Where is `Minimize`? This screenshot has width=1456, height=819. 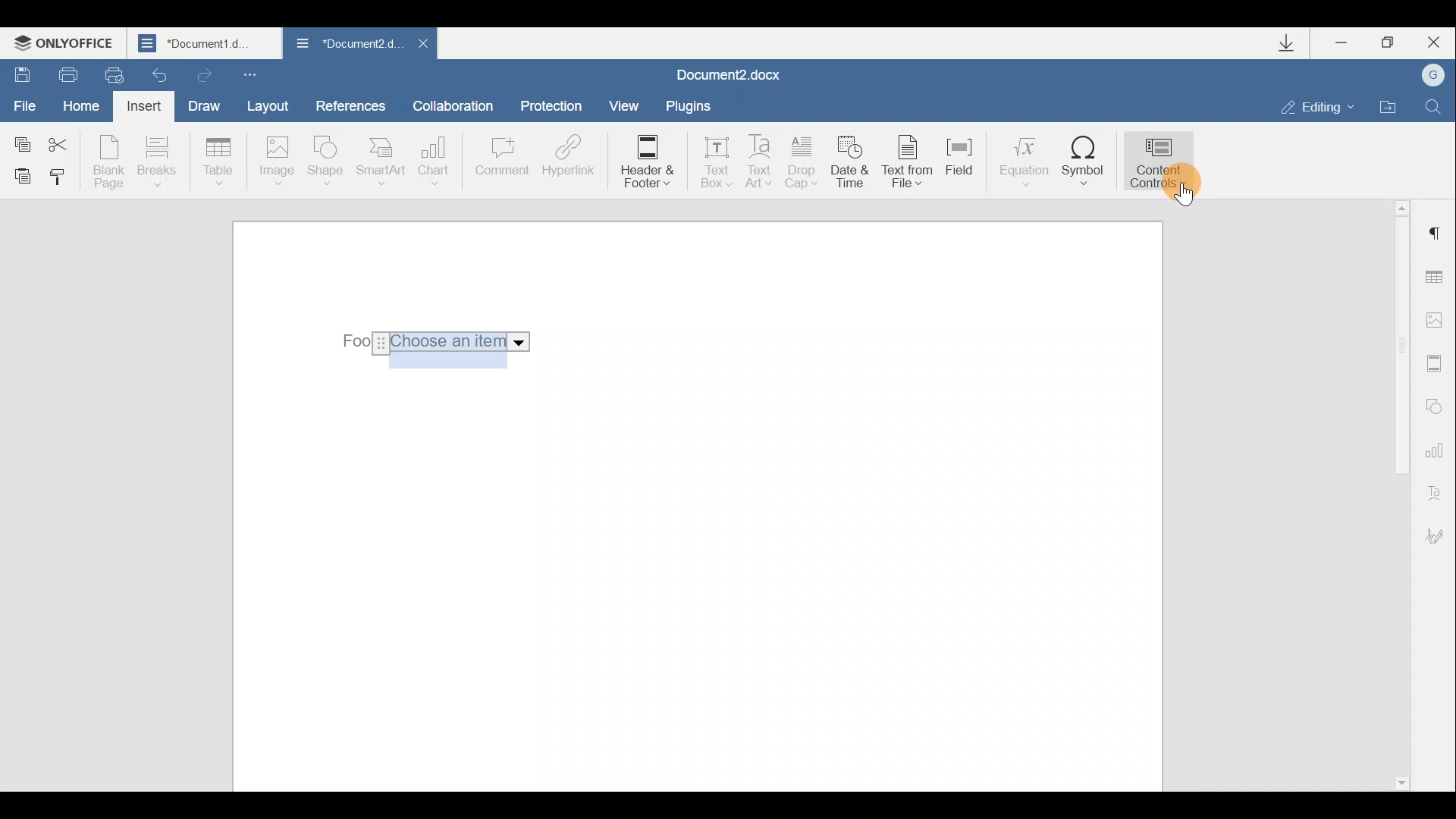
Minimize is located at coordinates (1348, 45).